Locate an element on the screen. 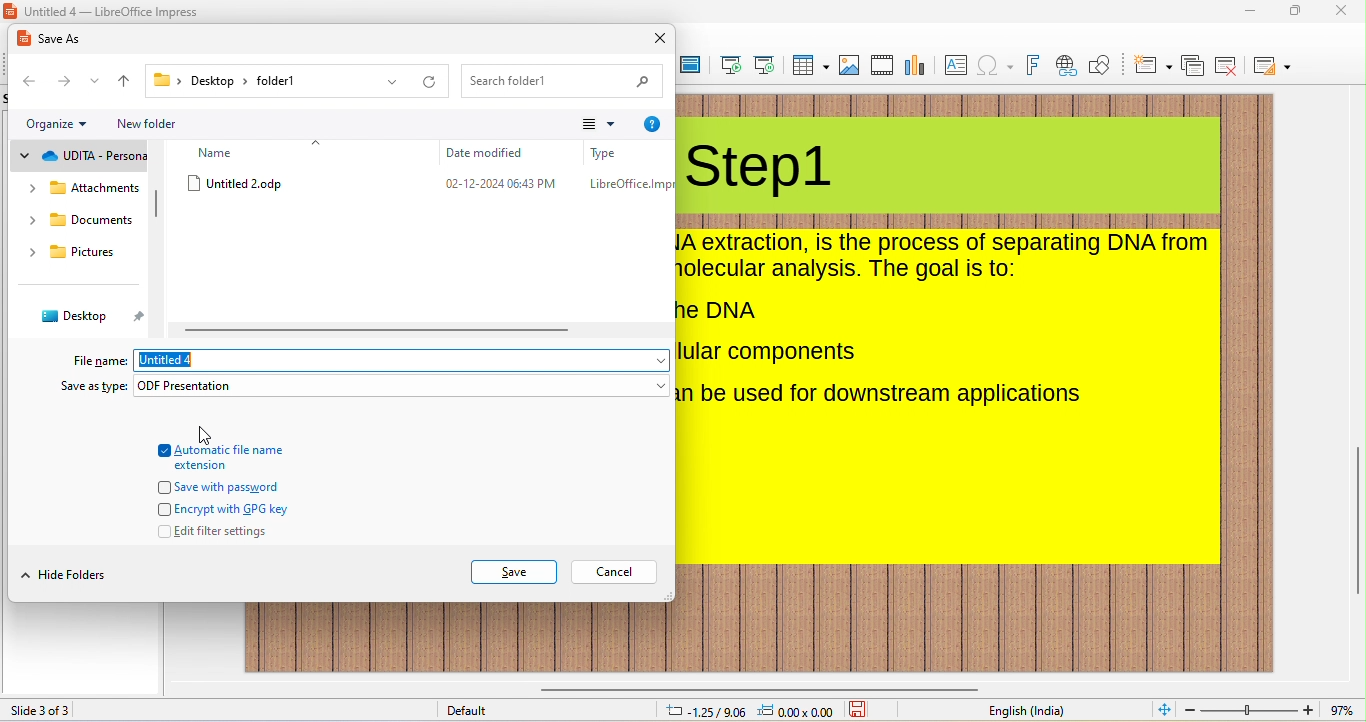 The height and width of the screenshot is (722, 1366). Checkbox is located at coordinates (163, 449).